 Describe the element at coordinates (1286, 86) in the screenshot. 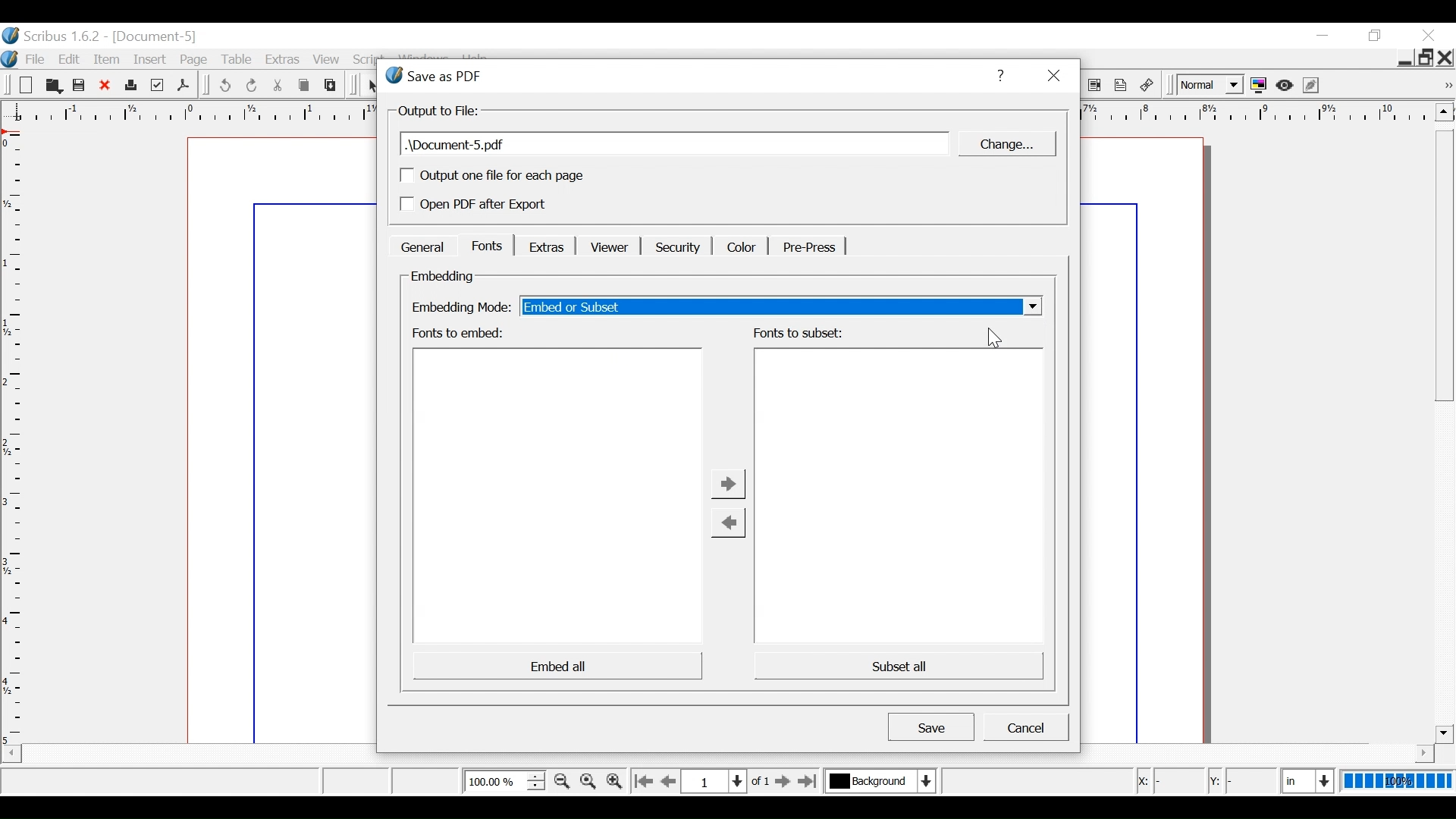

I see `Preview mode` at that location.